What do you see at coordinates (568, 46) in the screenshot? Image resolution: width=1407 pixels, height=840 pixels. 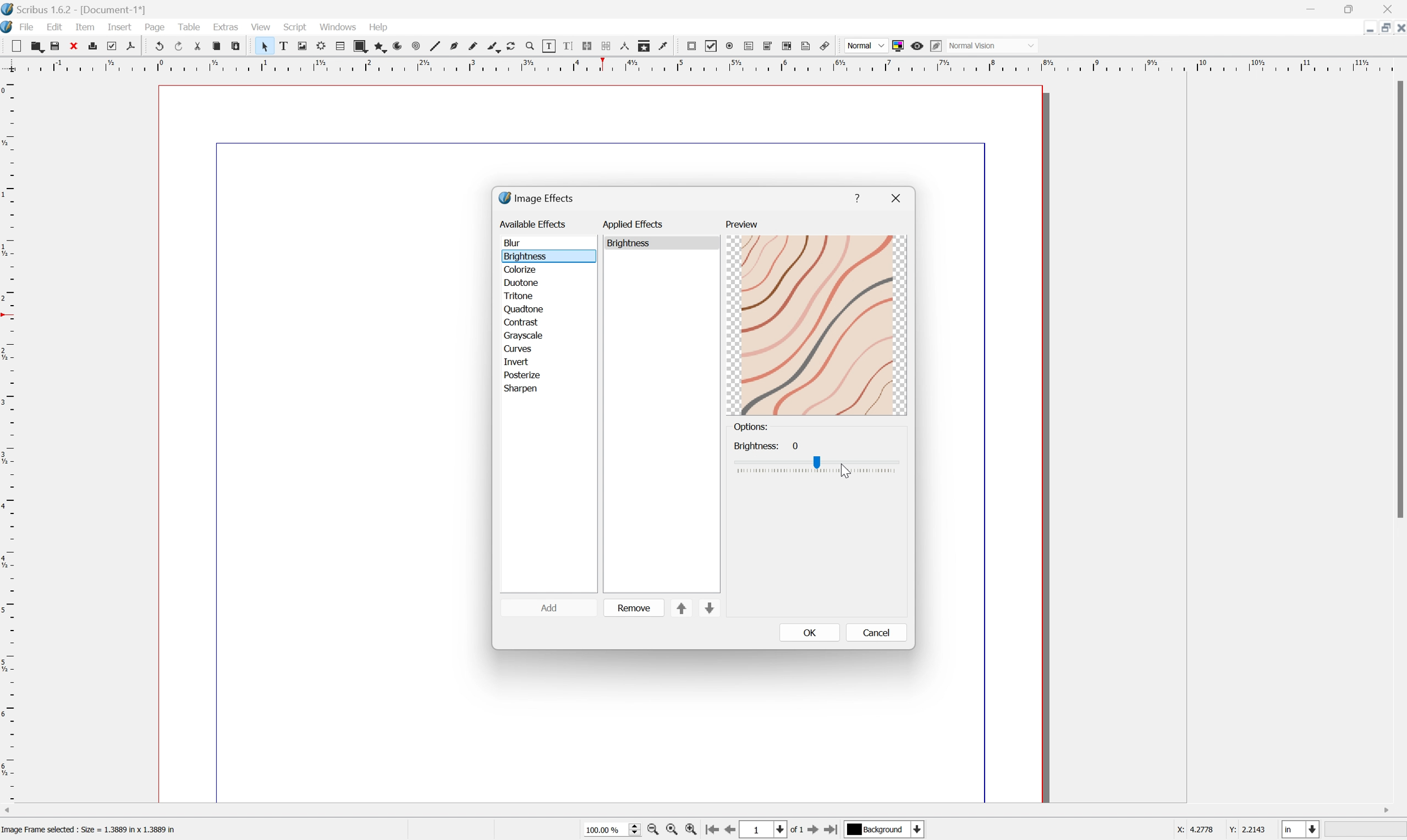 I see `Edit text with story editor` at bounding box center [568, 46].